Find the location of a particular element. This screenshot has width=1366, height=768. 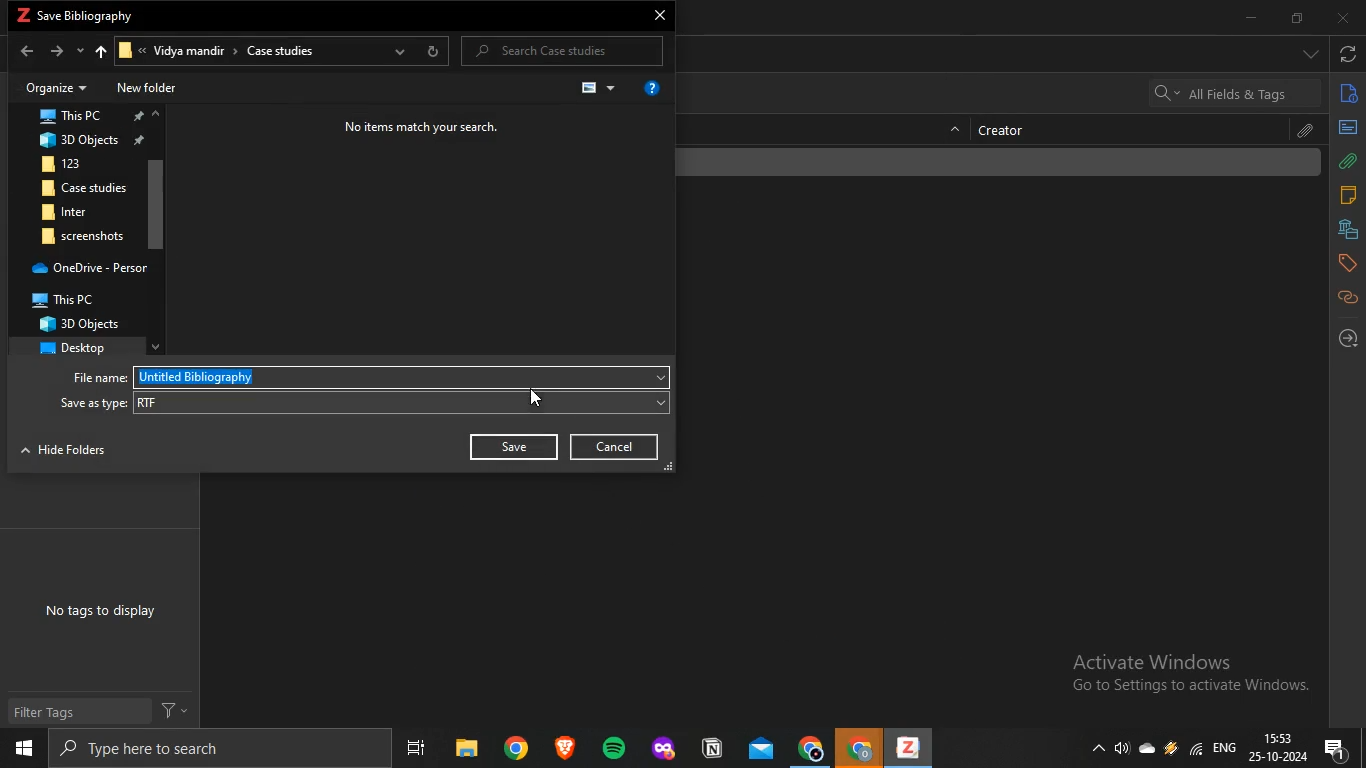

chrome is located at coordinates (516, 747).